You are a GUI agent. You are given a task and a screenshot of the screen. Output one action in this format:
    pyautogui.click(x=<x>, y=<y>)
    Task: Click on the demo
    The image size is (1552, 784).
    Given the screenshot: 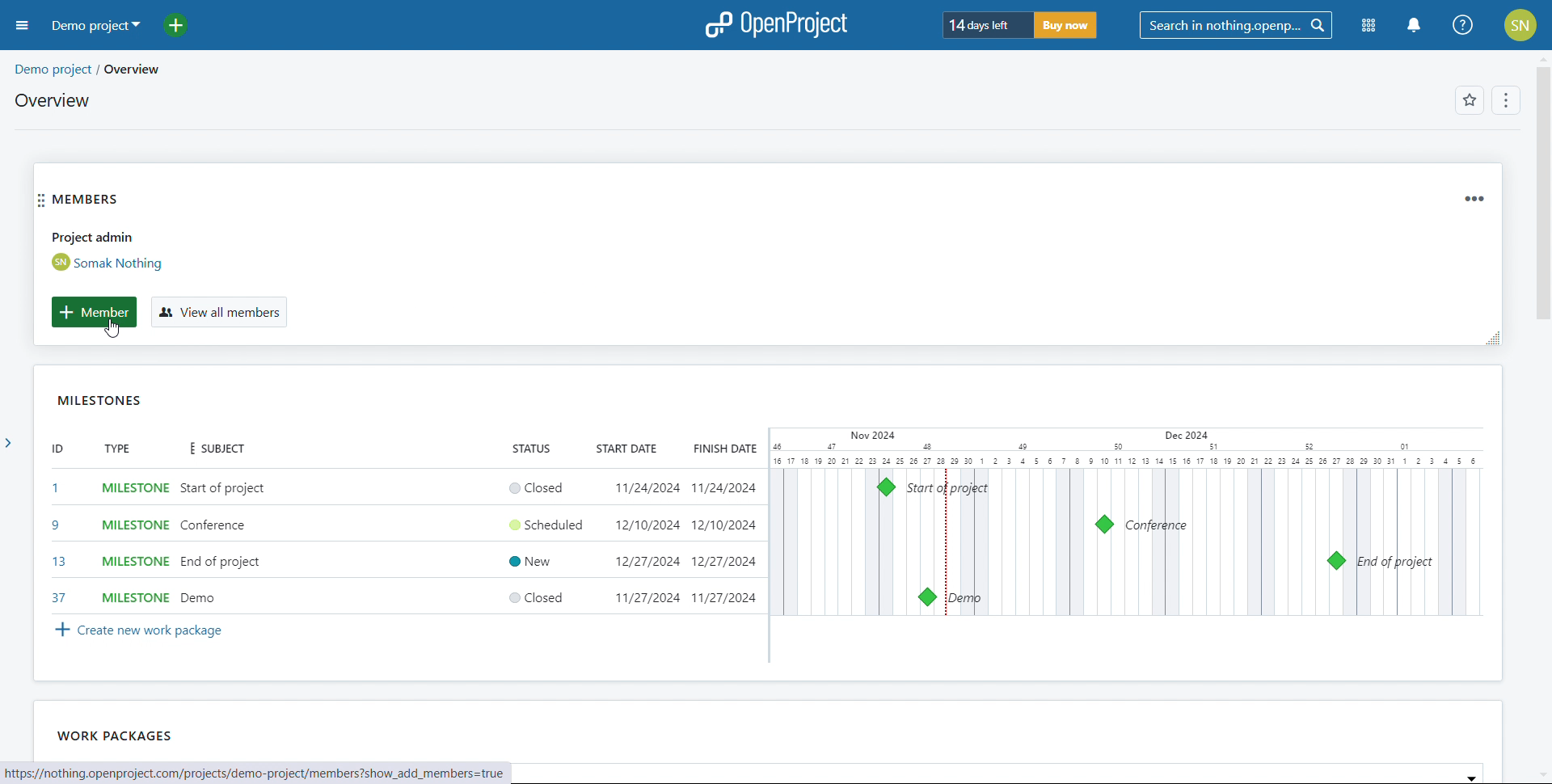 What is the action you would take?
    pyautogui.click(x=204, y=599)
    